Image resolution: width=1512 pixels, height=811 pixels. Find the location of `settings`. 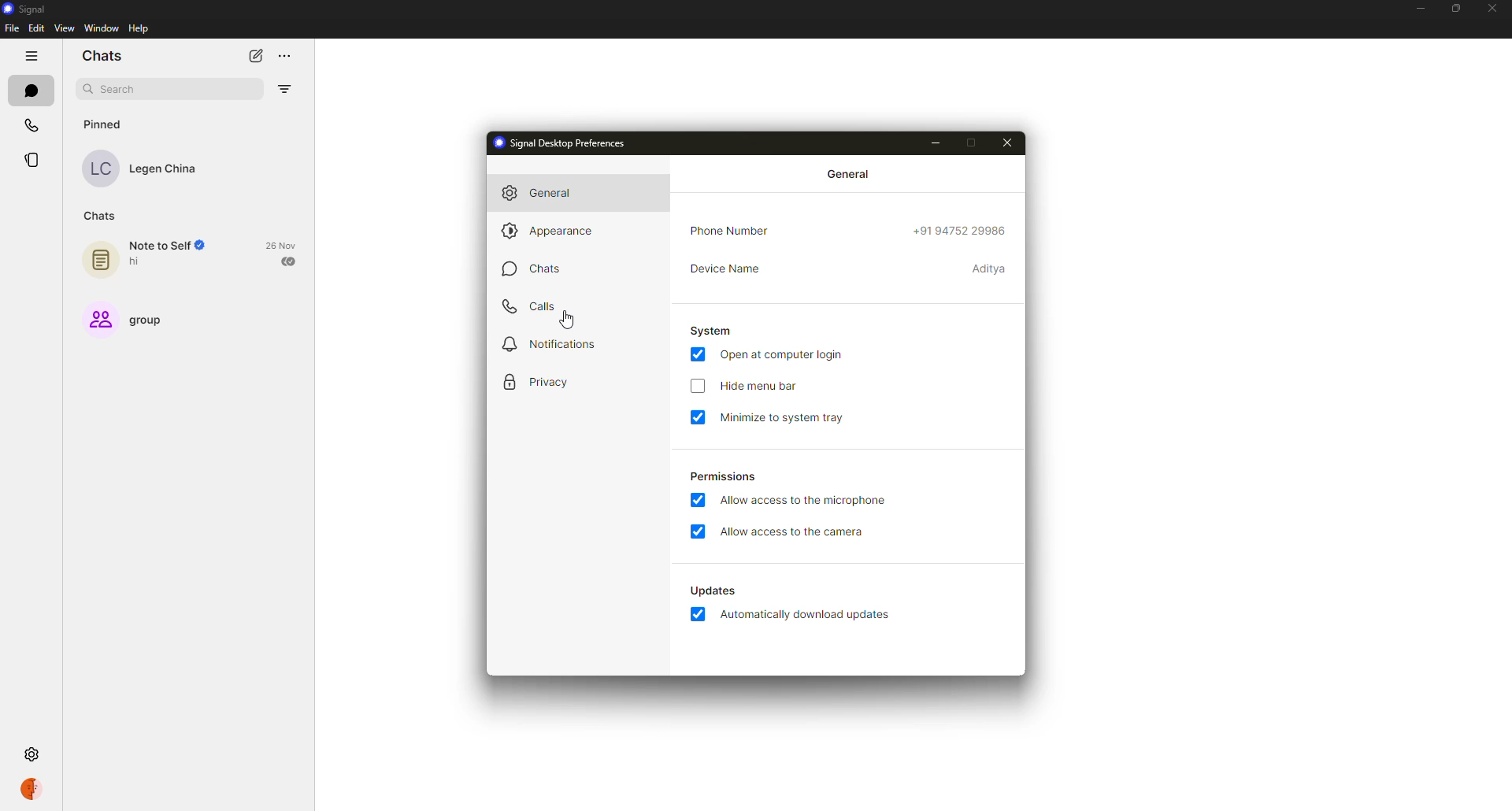

settings is located at coordinates (30, 753).